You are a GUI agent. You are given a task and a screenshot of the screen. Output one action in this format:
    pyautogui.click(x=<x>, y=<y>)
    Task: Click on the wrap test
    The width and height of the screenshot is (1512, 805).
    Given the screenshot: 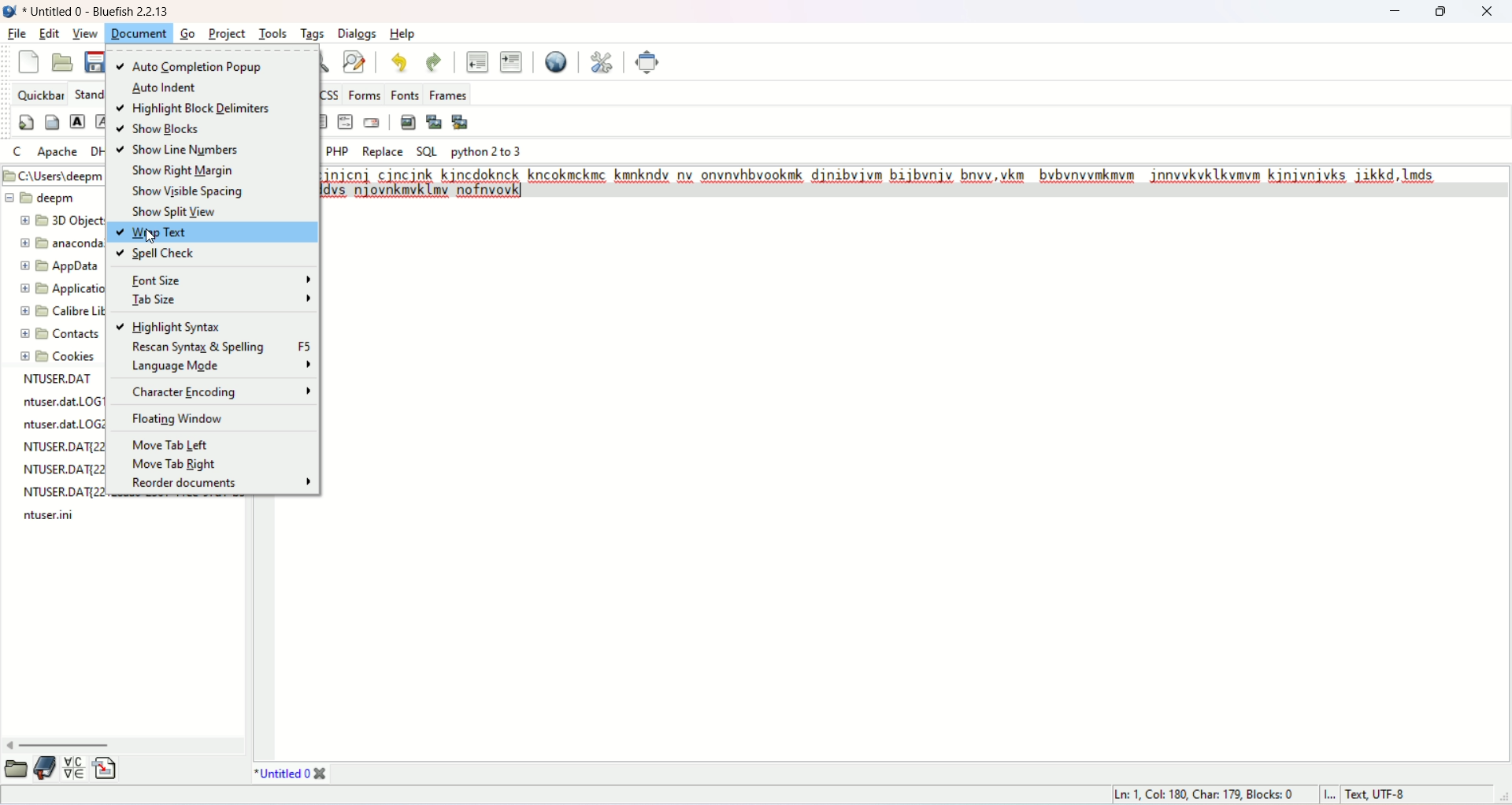 What is the action you would take?
    pyautogui.click(x=213, y=233)
    